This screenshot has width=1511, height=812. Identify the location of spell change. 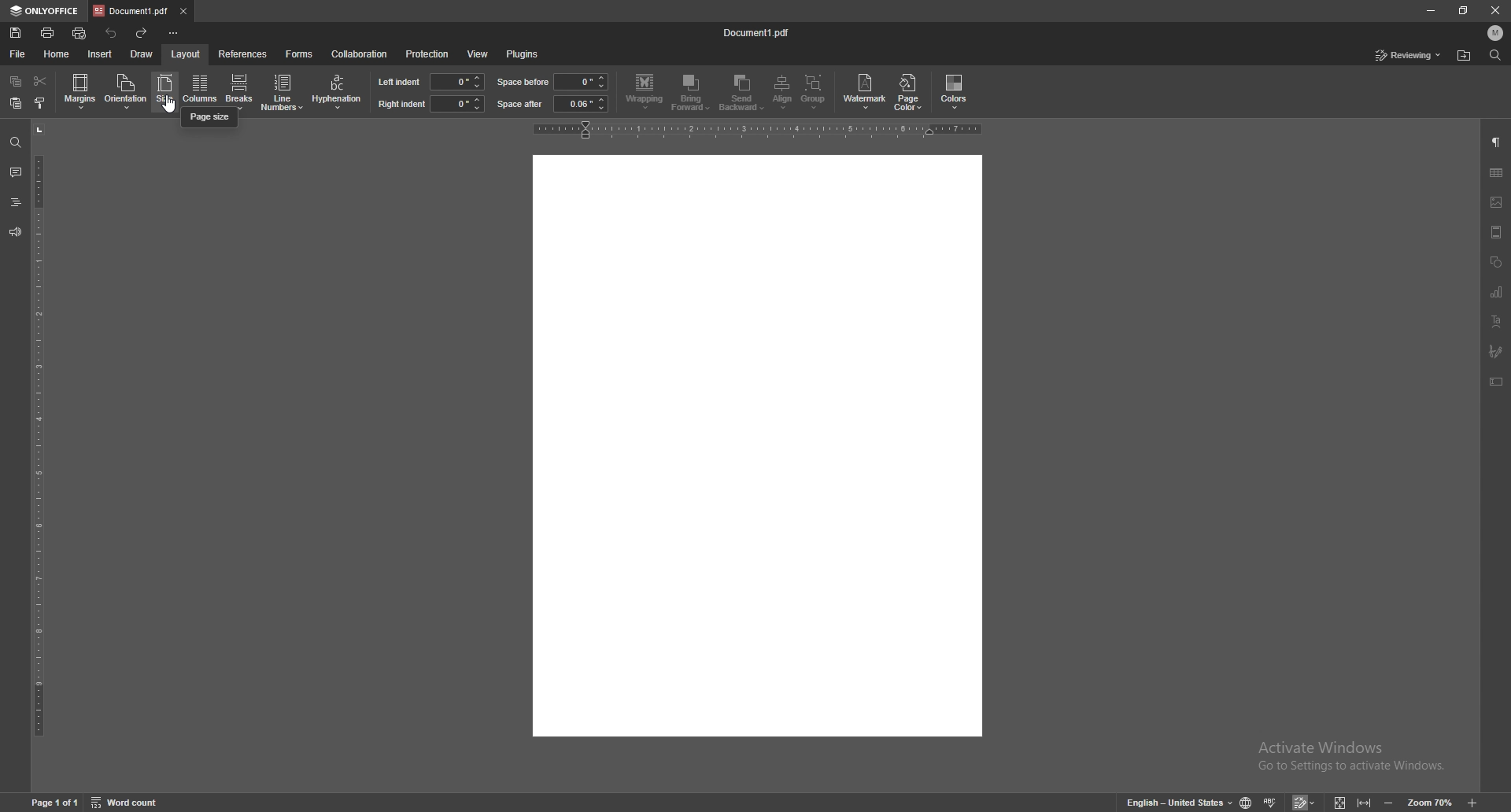
(1272, 802).